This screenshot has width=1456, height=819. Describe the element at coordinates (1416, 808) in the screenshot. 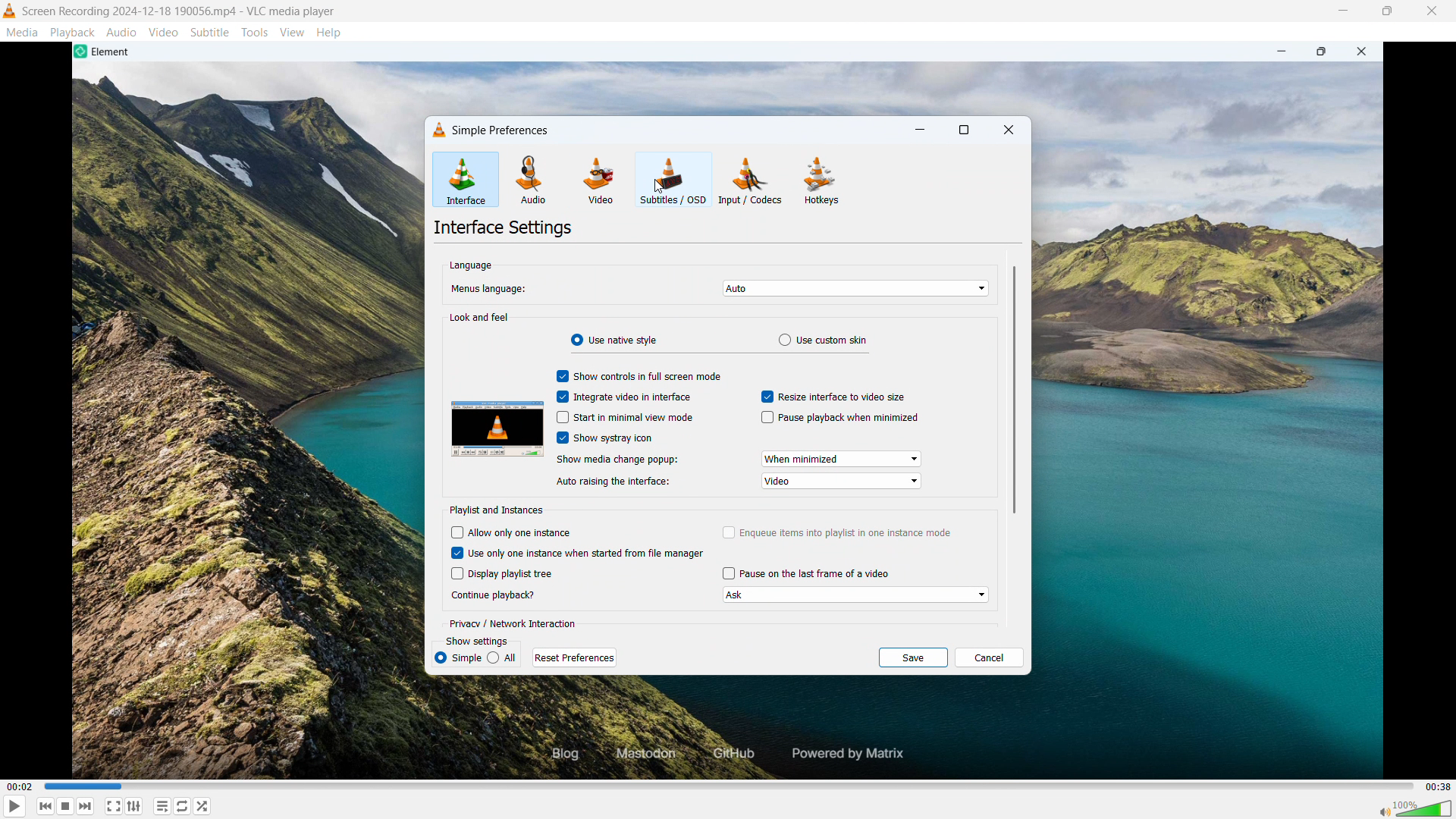

I see `Sound bar ` at that location.